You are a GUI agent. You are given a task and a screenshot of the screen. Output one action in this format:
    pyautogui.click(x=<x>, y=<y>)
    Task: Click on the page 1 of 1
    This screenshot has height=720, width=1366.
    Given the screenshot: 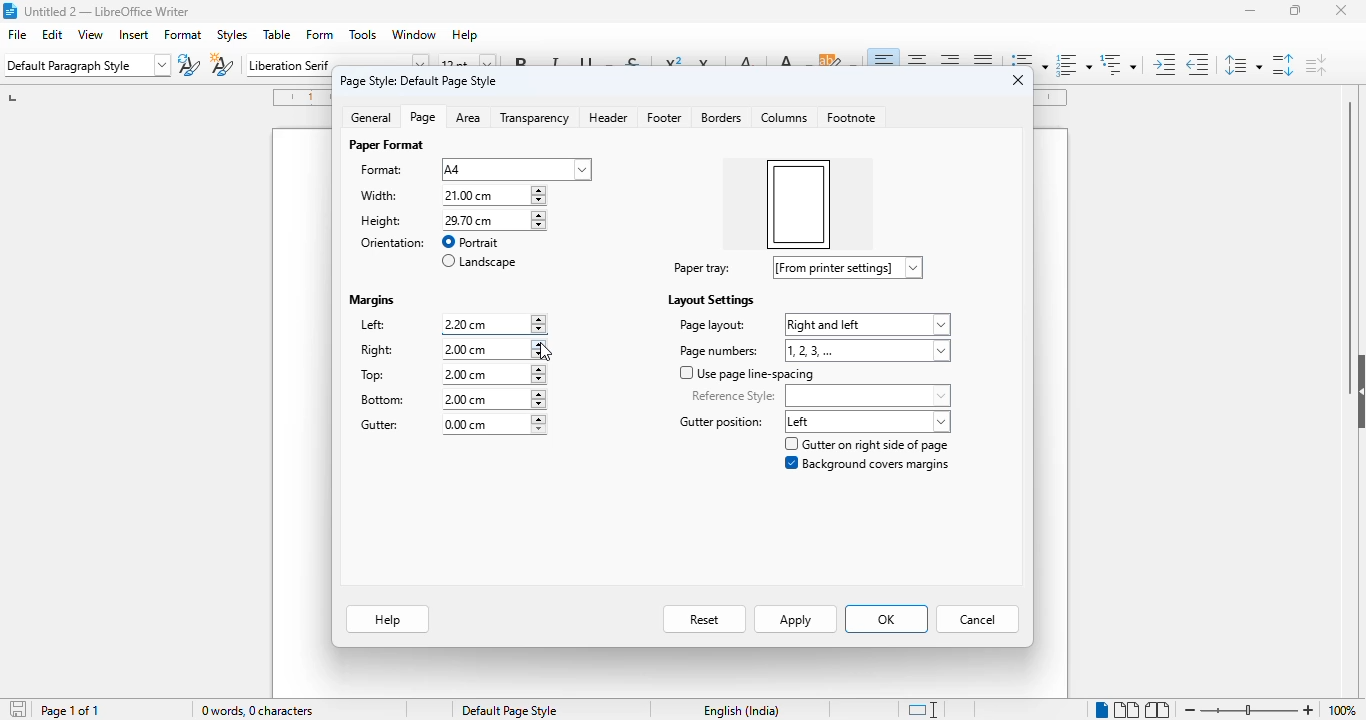 What is the action you would take?
    pyautogui.click(x=70, y=710)
    